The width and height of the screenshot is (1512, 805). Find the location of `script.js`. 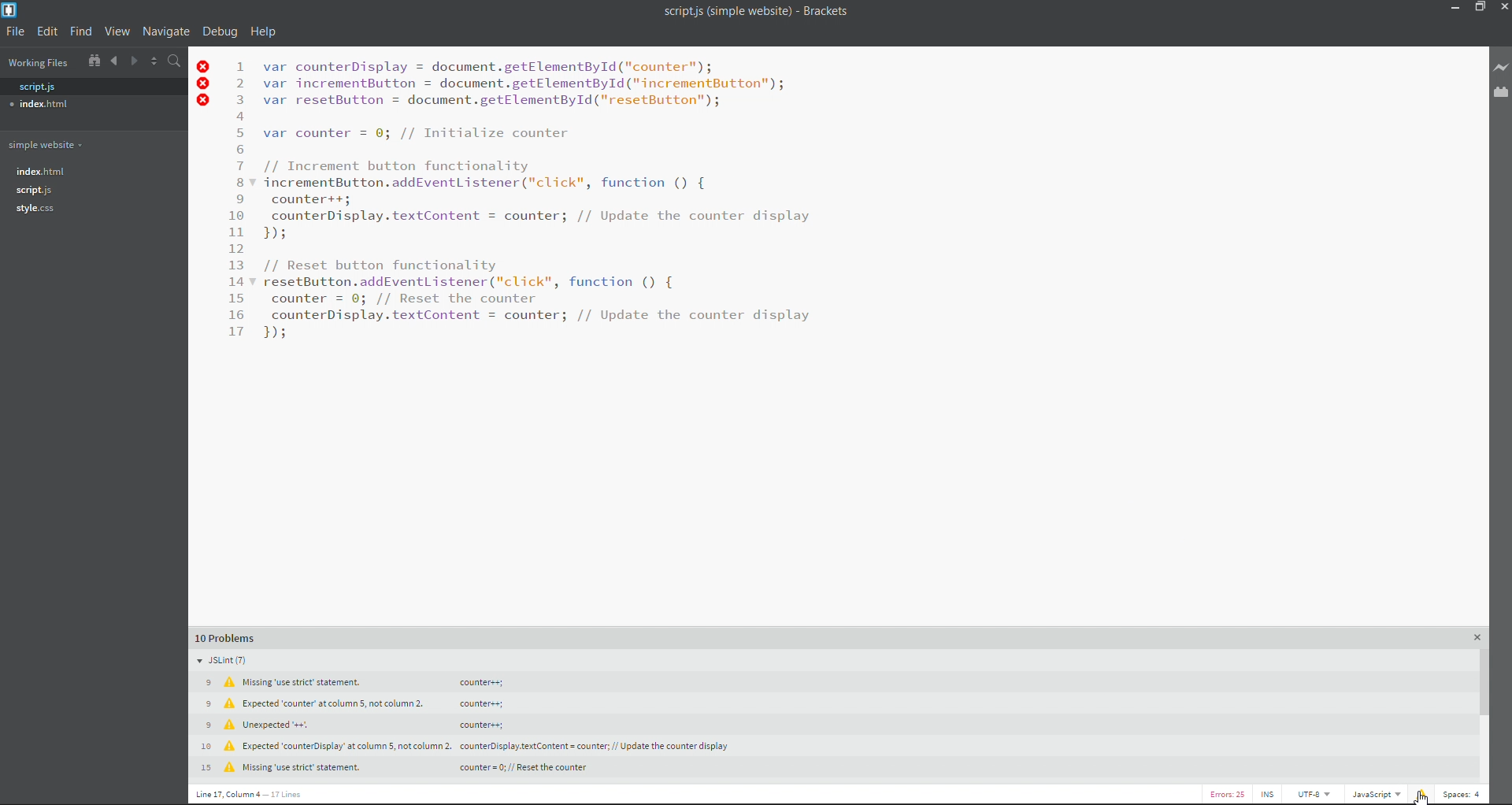

script.js is located at coordinates (36, 191).